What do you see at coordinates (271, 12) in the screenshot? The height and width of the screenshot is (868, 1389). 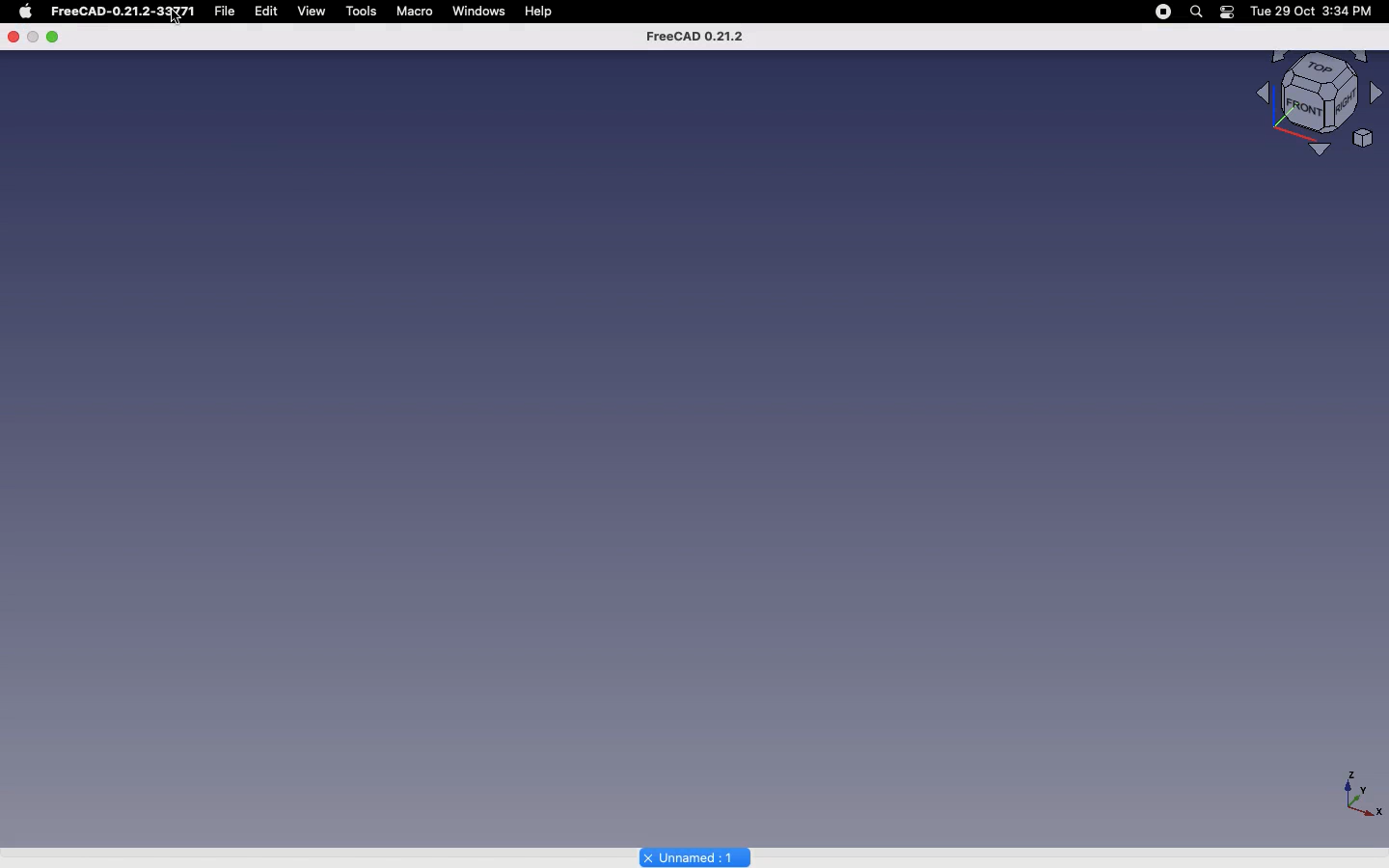 I see `Edit` at bounding box center [271, 12].